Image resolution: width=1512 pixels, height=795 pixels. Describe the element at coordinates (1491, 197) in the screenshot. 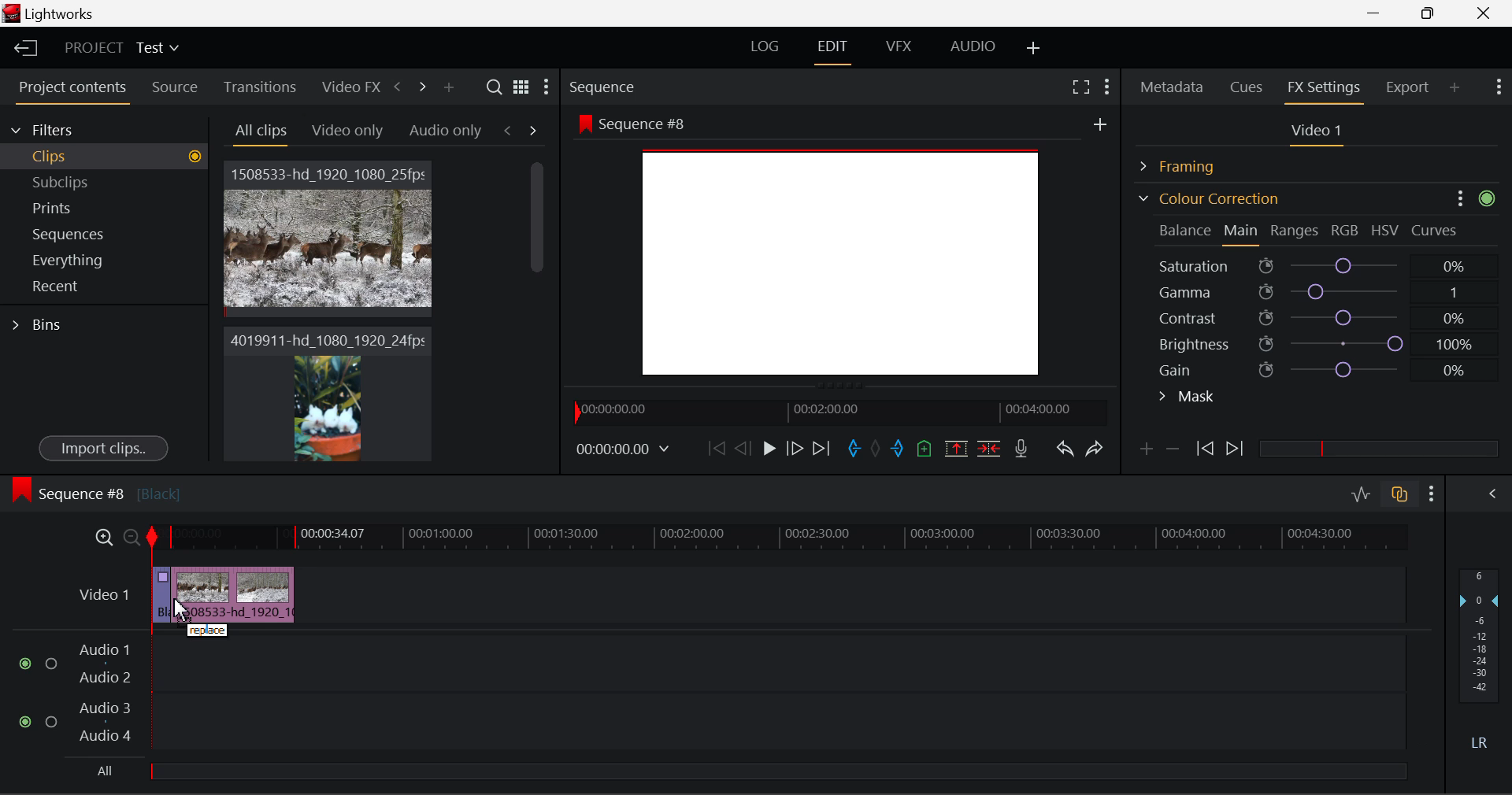

I see `icon` at that location.